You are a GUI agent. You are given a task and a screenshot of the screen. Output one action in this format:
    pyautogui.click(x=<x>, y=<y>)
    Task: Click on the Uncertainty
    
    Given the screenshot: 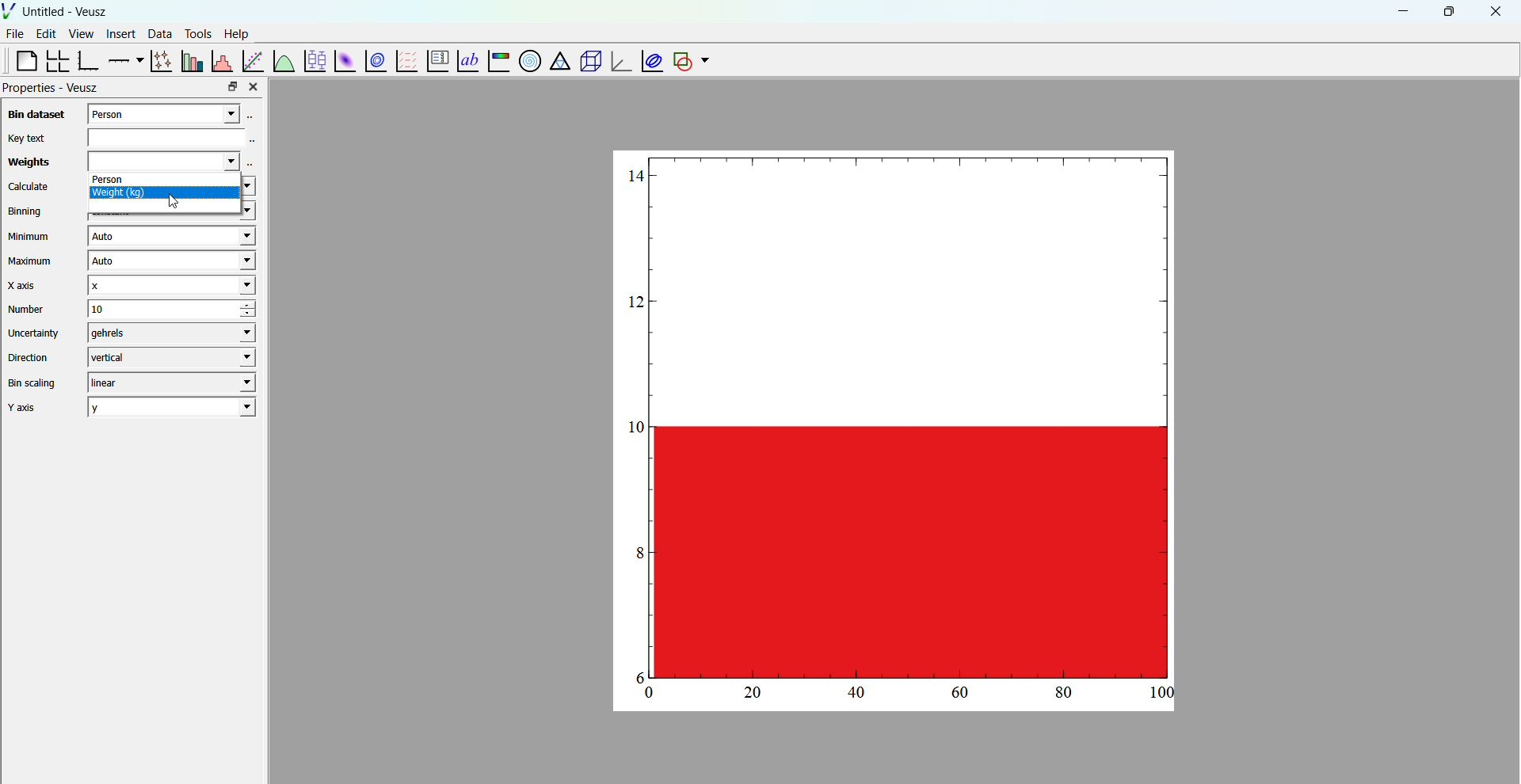 What is the action you would take?
    pyautogui.click(x=35, y=333)
    